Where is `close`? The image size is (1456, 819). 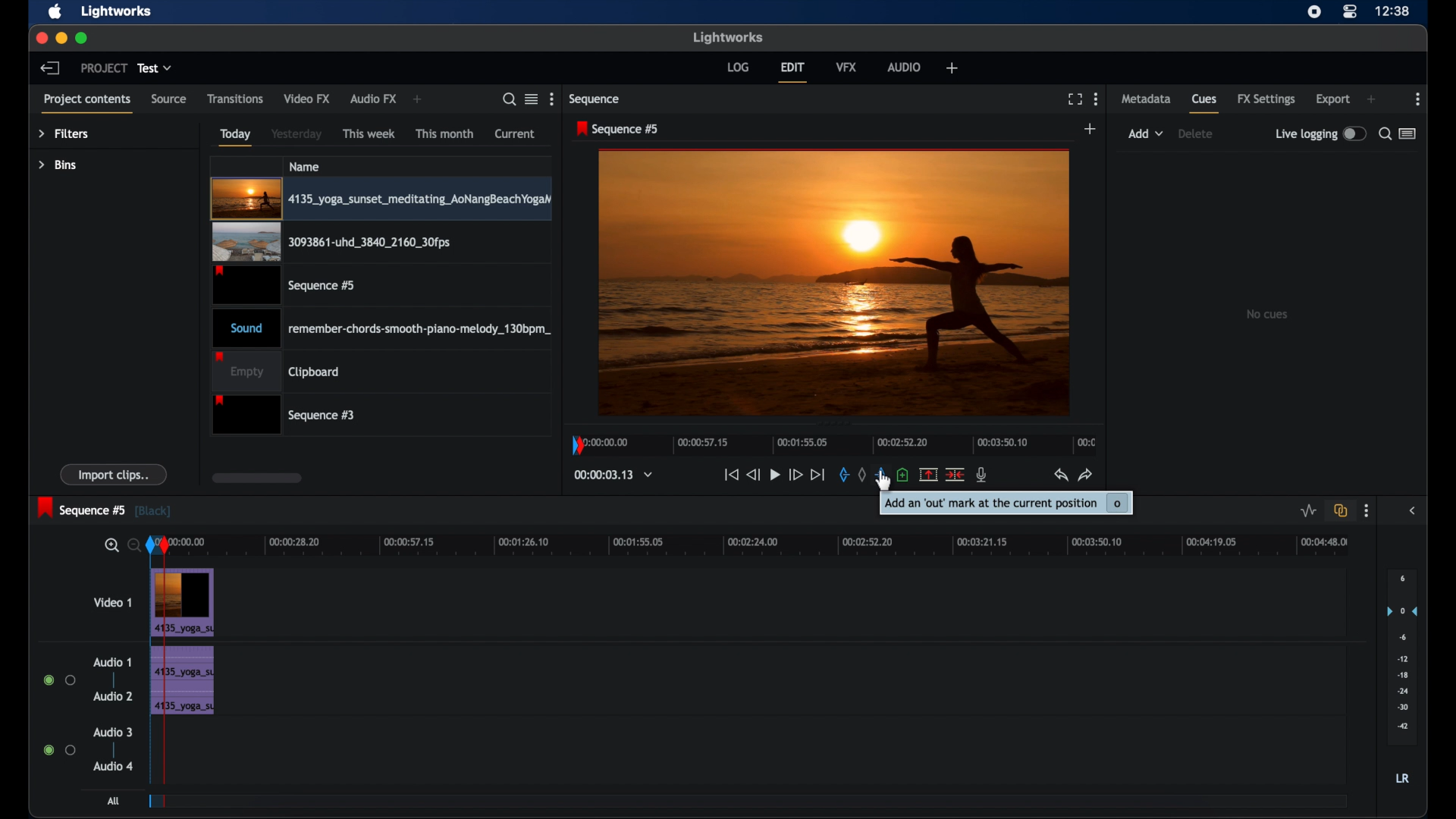
close is located at coordinates (40, 36).